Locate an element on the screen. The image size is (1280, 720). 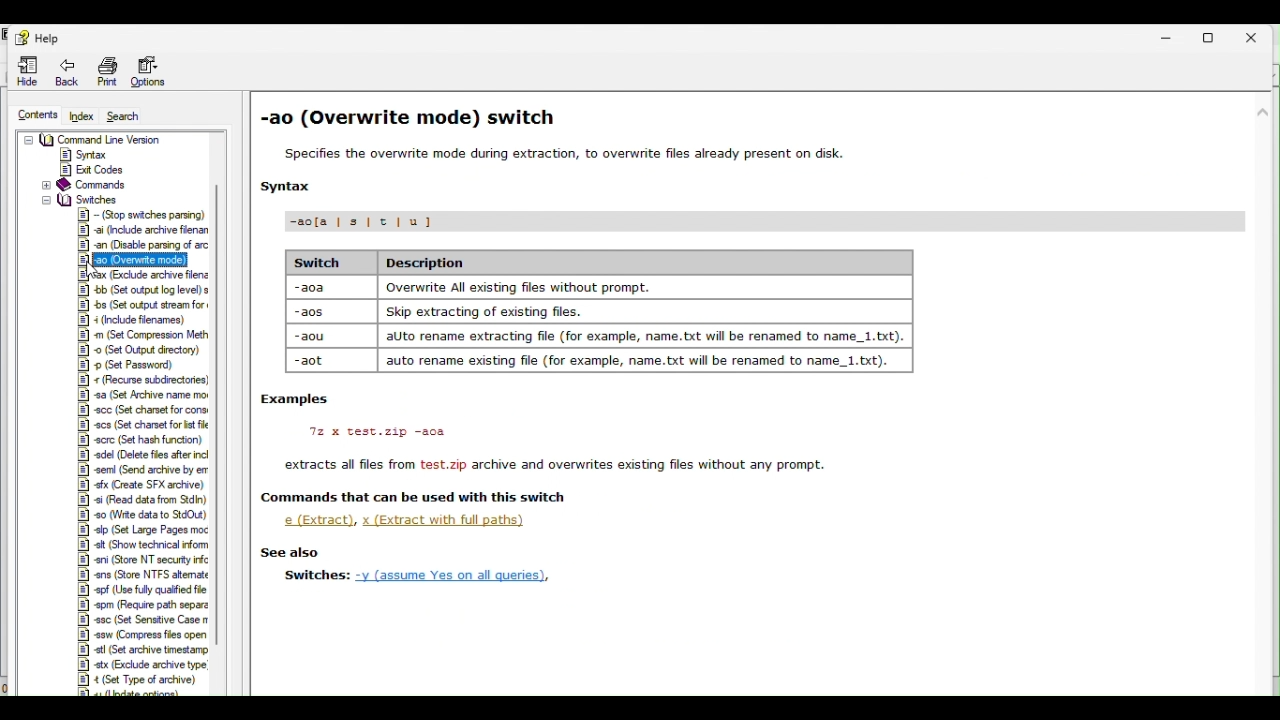
[8] - (Stop switches parsing) | is located at coordinates (144, 212).